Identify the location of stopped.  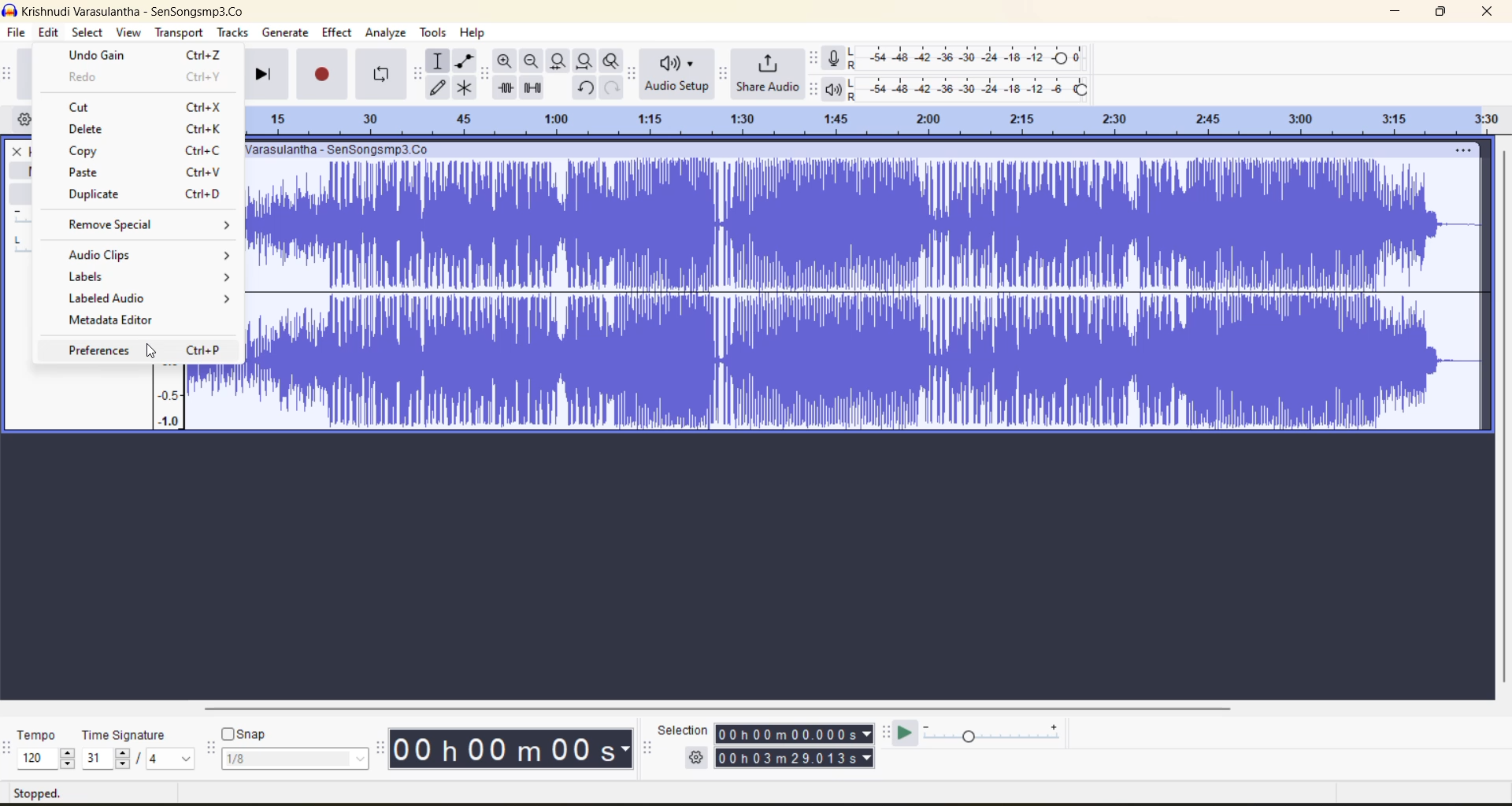
(41, 793).